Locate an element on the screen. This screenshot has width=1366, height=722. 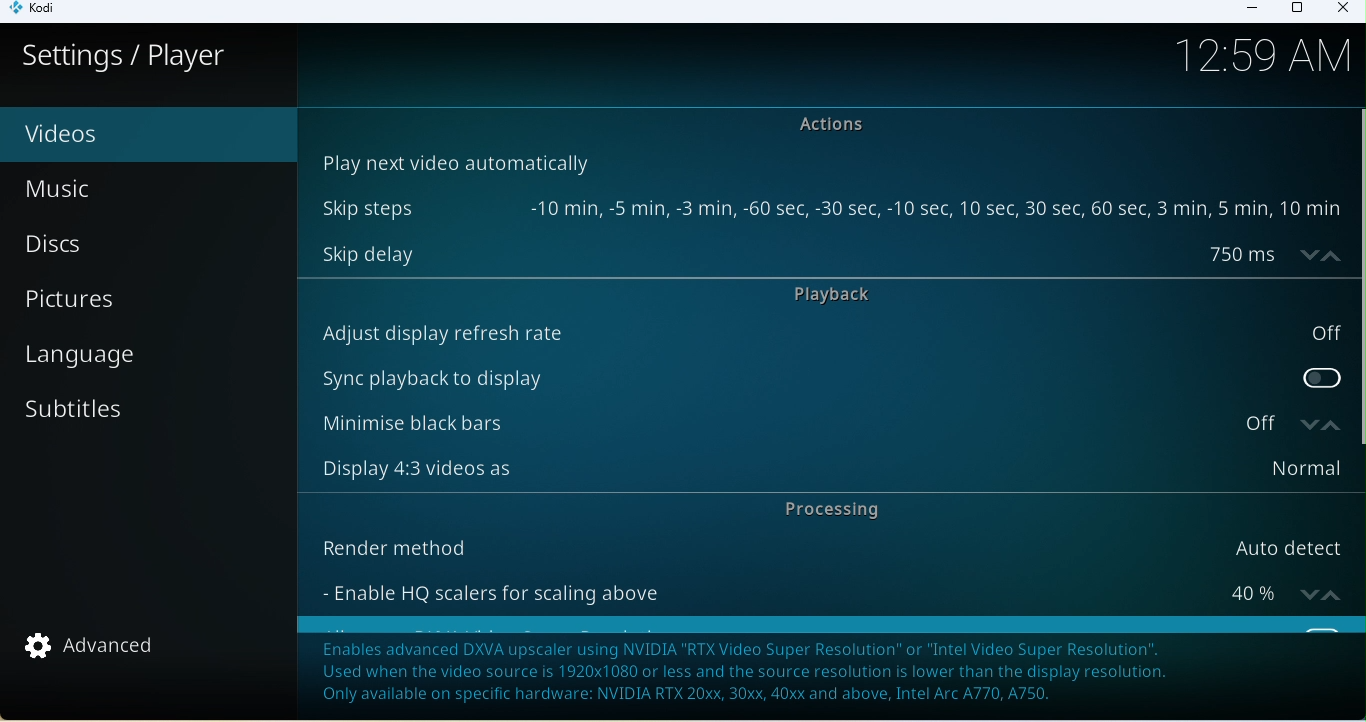
Sync playback to display is located at coordinates (829, 374).